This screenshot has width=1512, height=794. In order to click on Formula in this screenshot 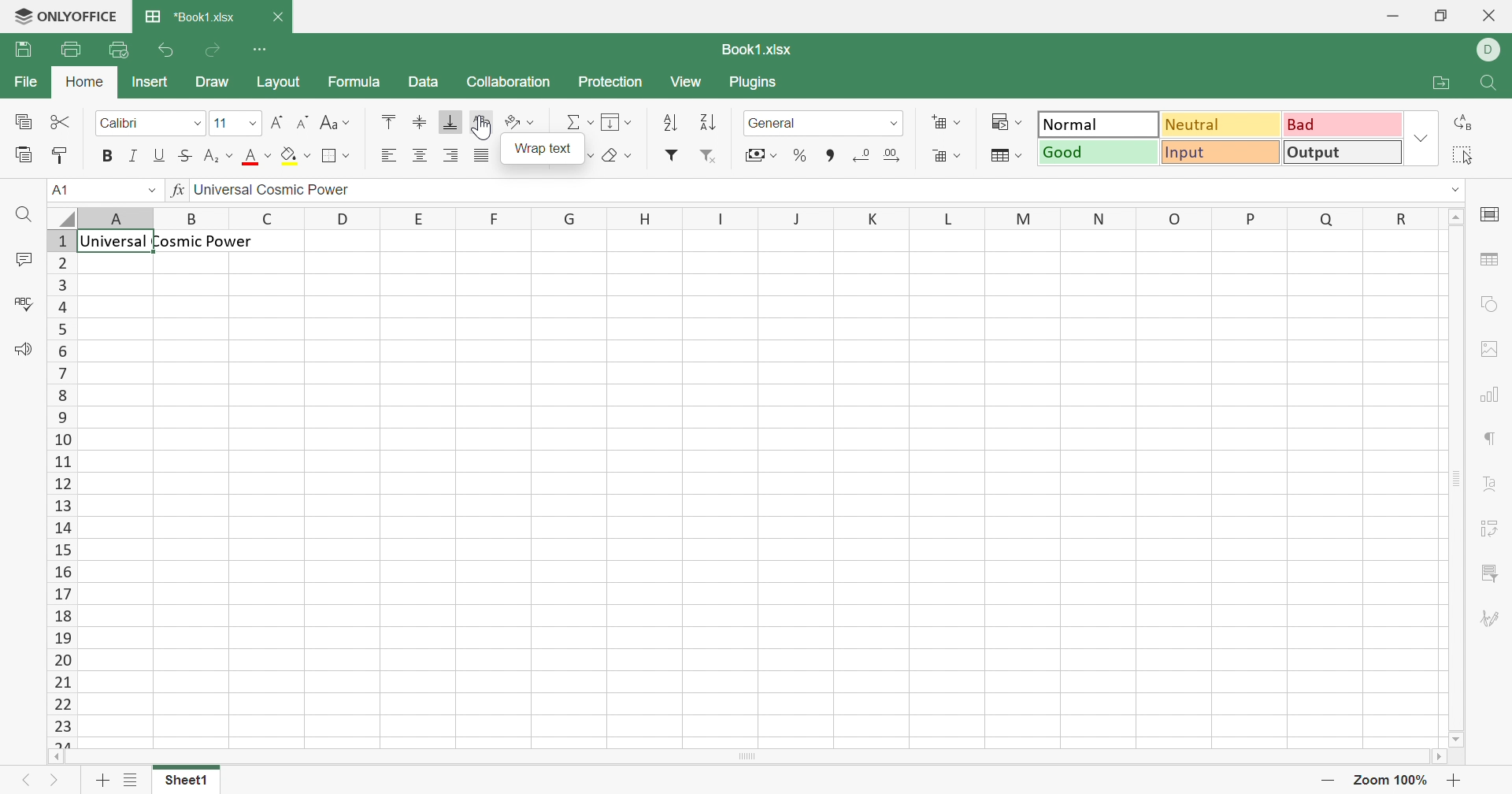, I will do `click(358, 80)`.